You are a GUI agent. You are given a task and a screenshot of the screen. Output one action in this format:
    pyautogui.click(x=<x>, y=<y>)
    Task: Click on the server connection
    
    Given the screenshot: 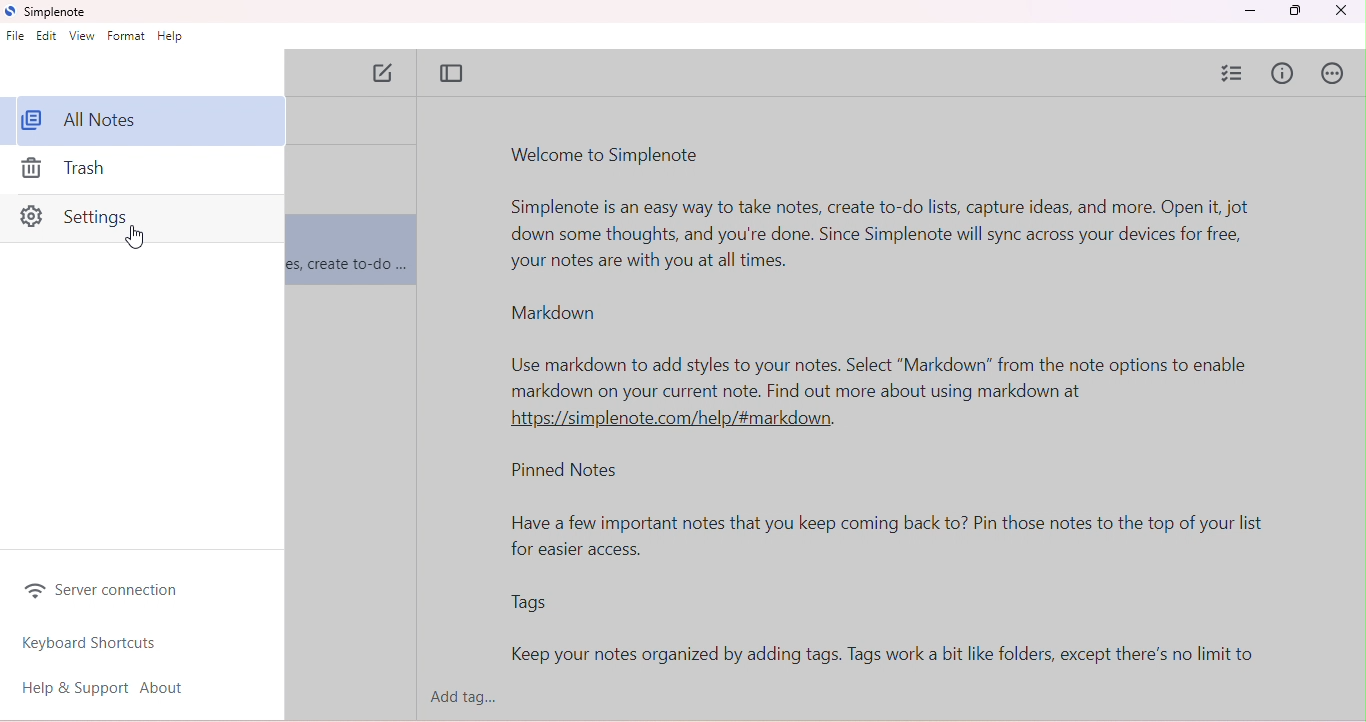 What is the action you would take?
    pyautogui.click(x=110, y=591)
    